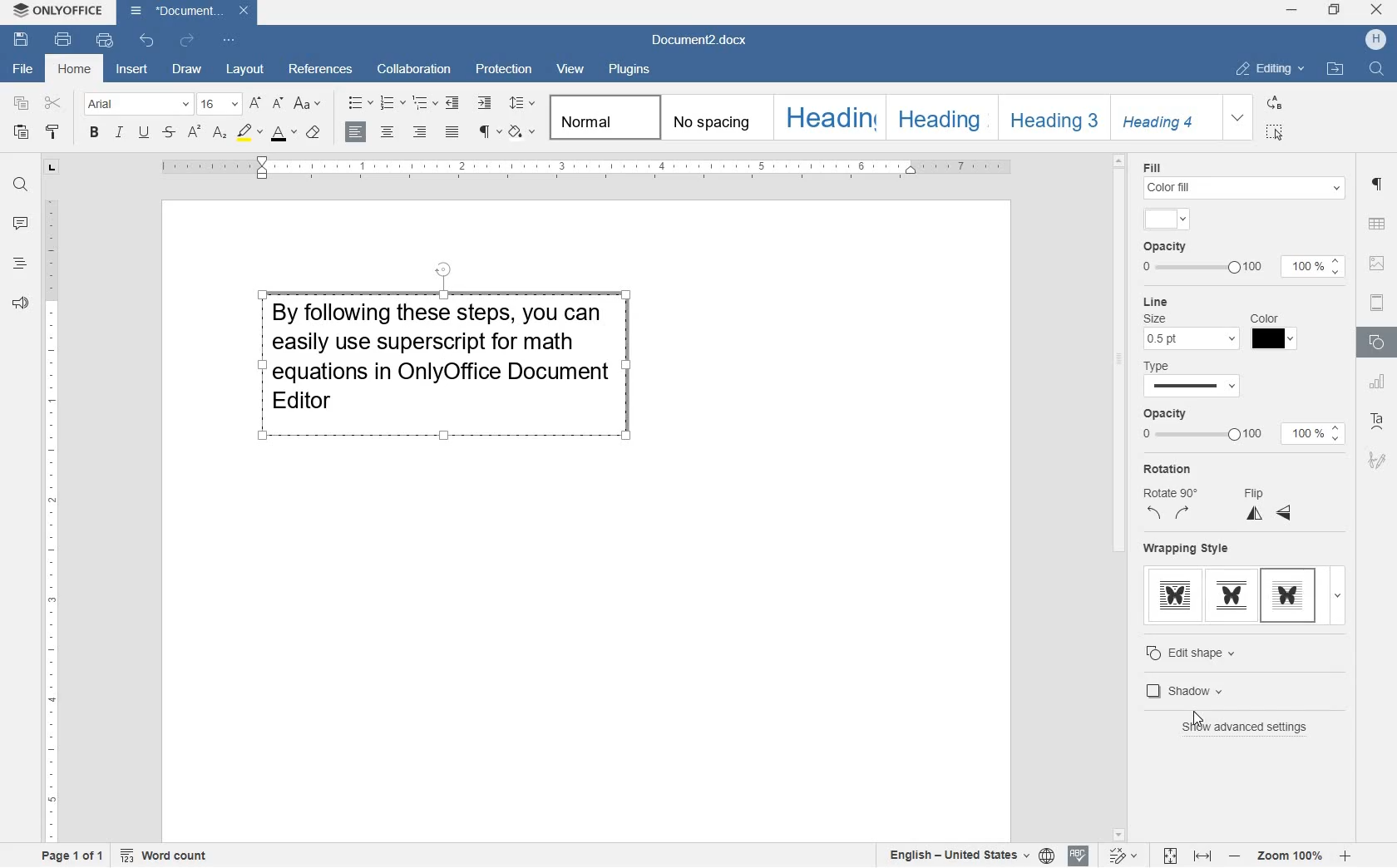 The width and height of the screenshot is (1397, 868). Describe the element at coordinates (701, 42) in the screenshot. I see `Document2.docx` at that location.